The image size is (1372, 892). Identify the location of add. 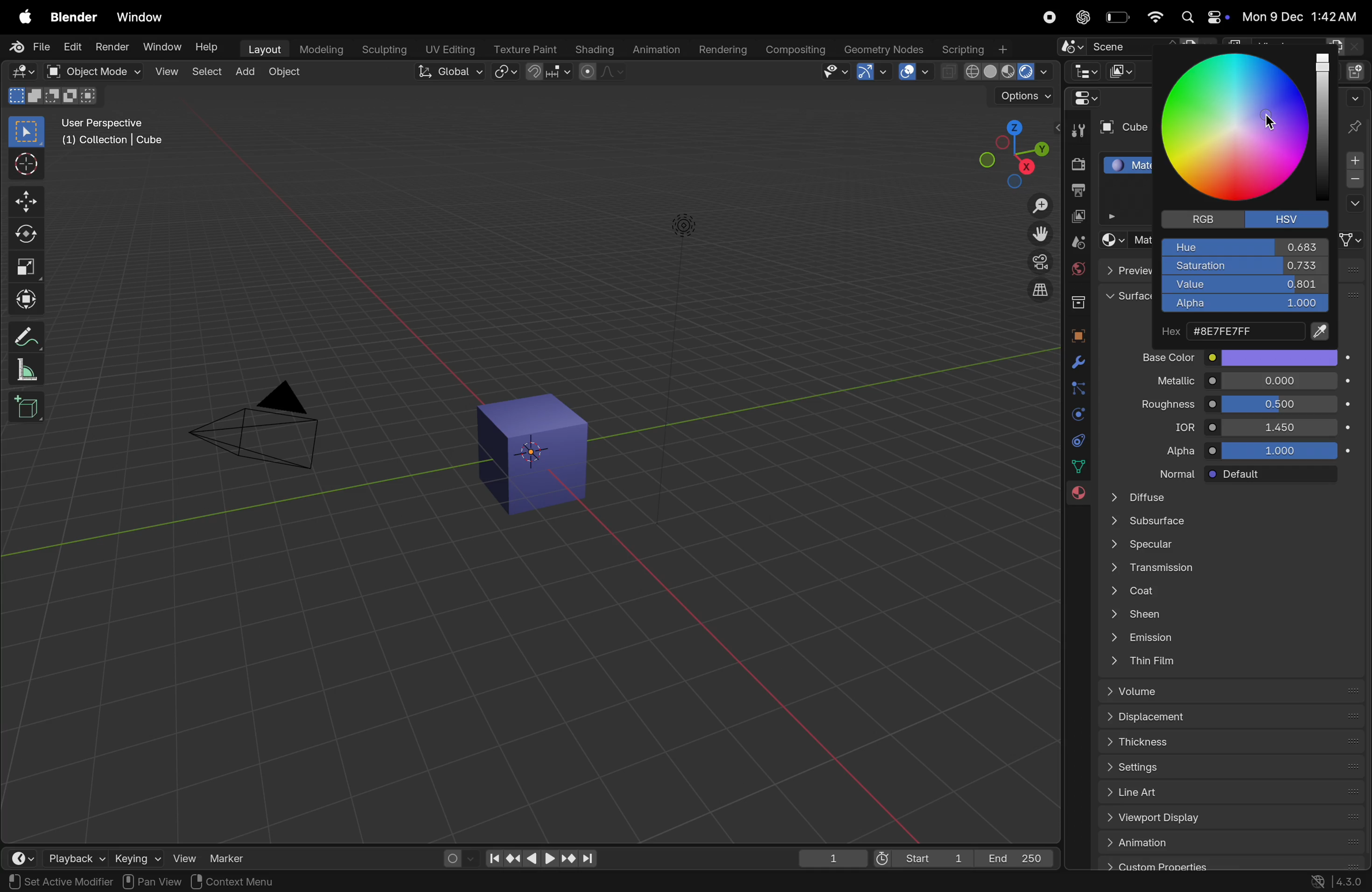
(244, 73).